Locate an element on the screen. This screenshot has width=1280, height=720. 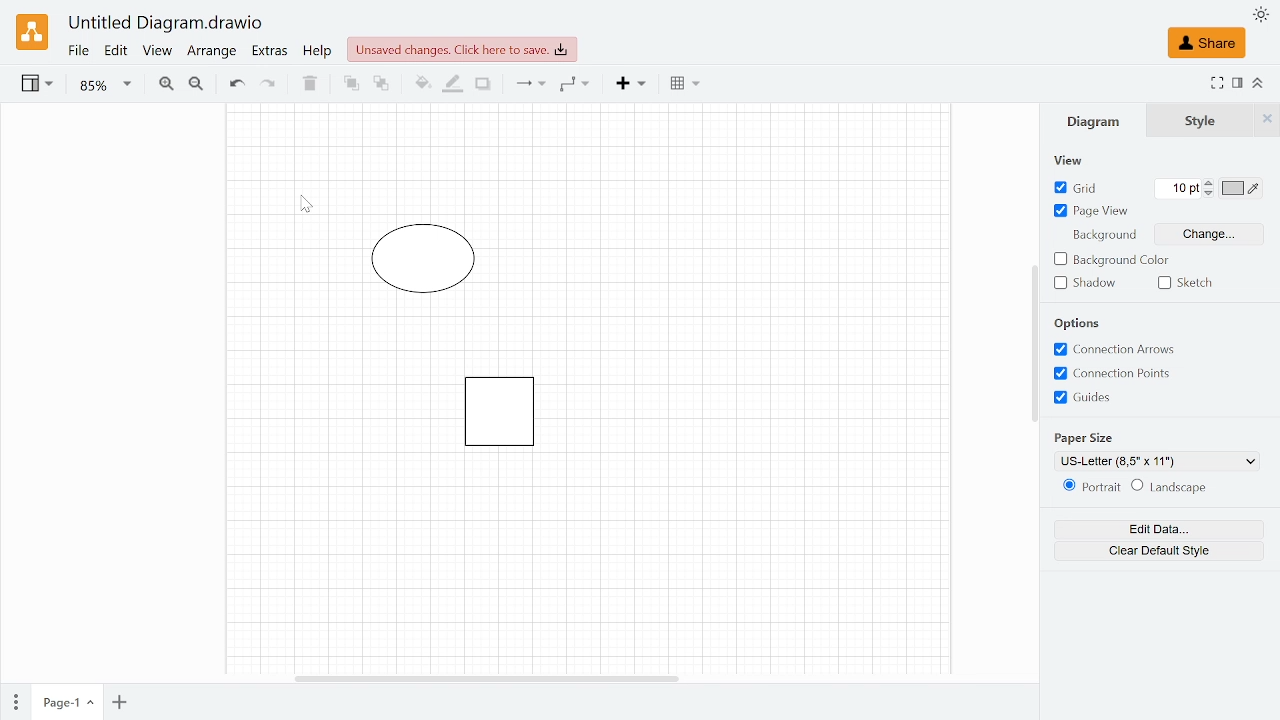
Fill color is located at coordinates (420, 86).